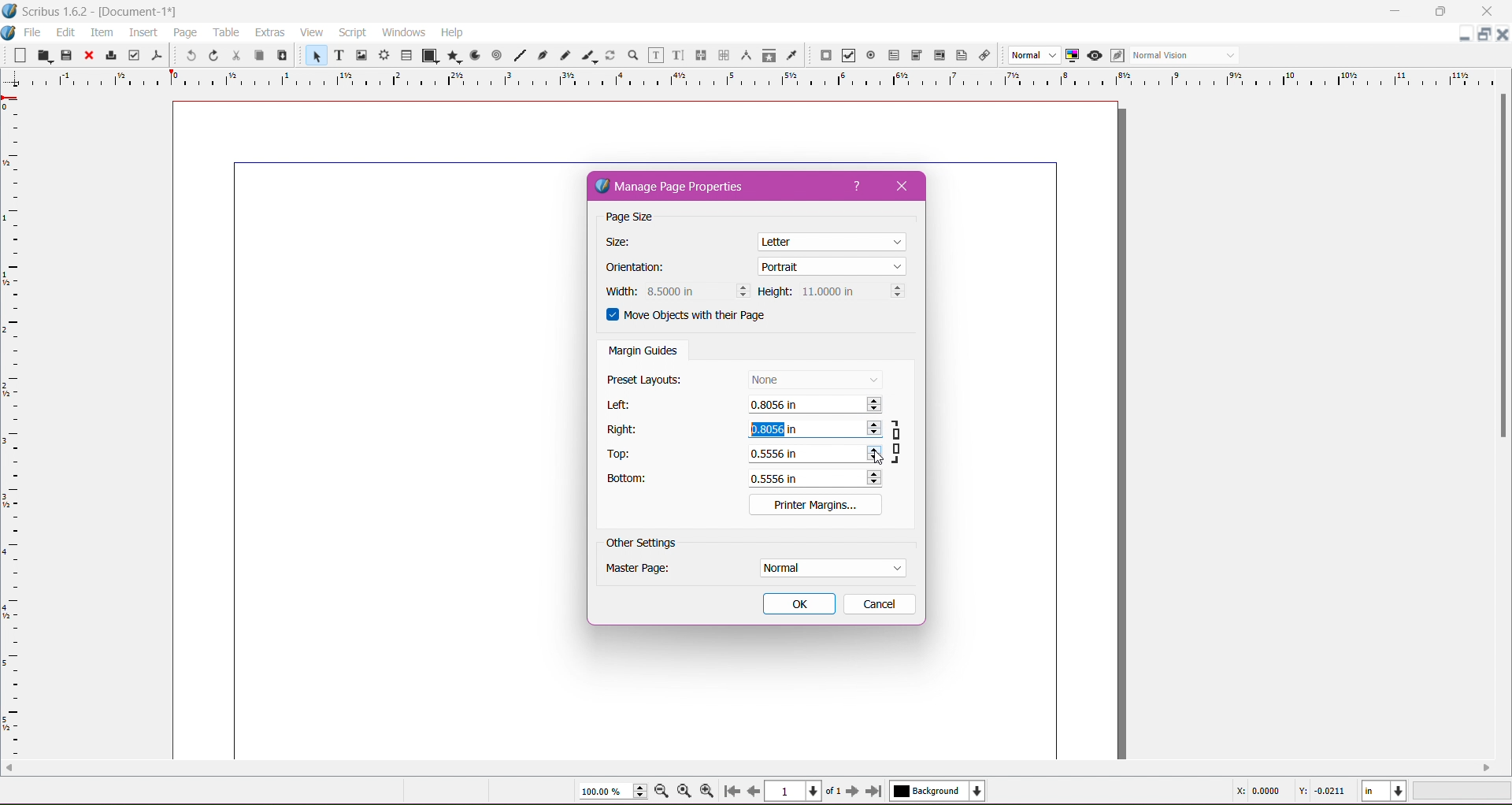 This screenshot has height=805, width=1512. Describe the element at coordinates (1503, 269) in the screenshot. I see `Vertical Scroll Bar` at that location.